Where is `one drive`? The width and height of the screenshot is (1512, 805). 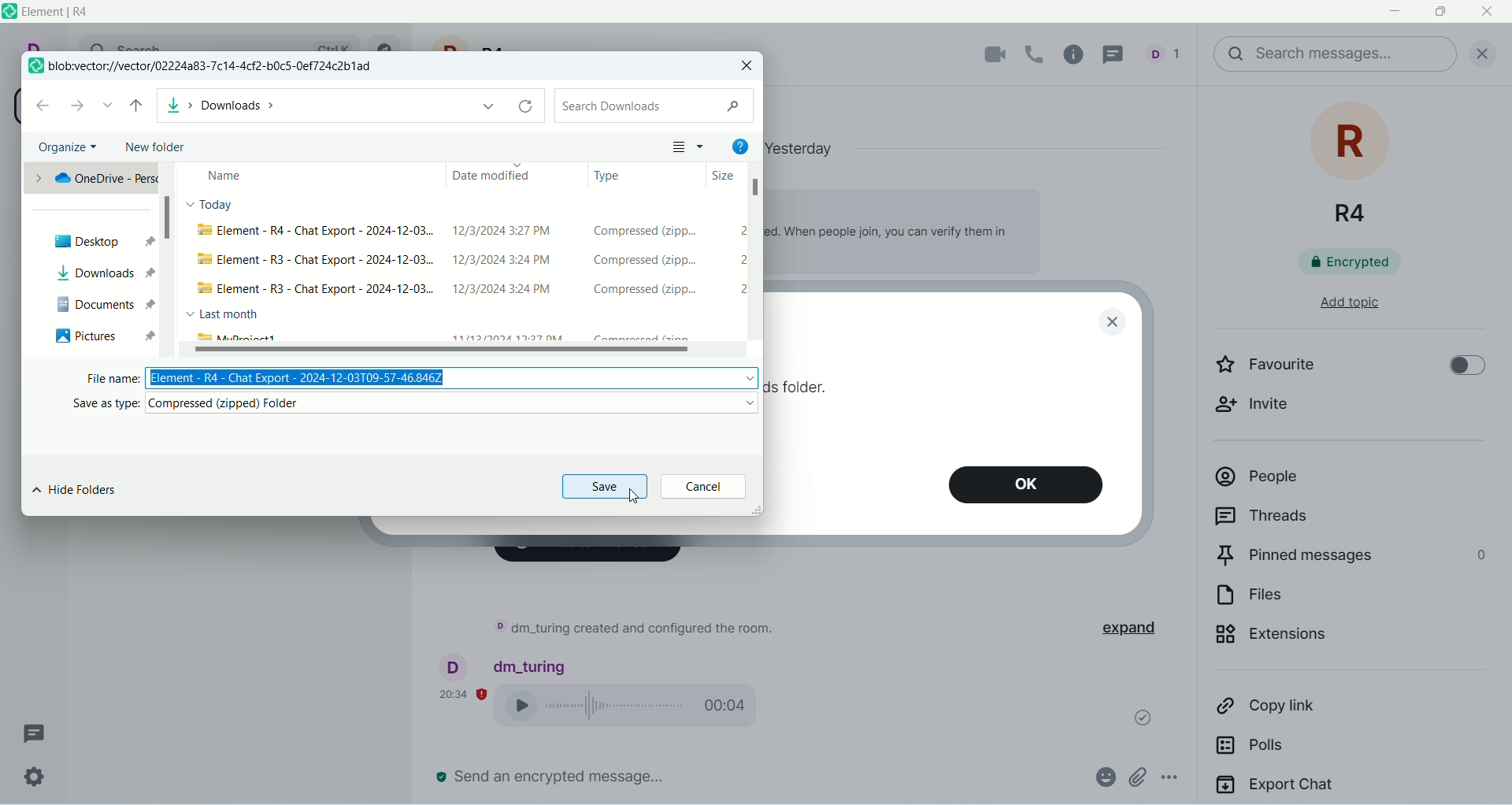
one drive is located at coordinates (91, 177).